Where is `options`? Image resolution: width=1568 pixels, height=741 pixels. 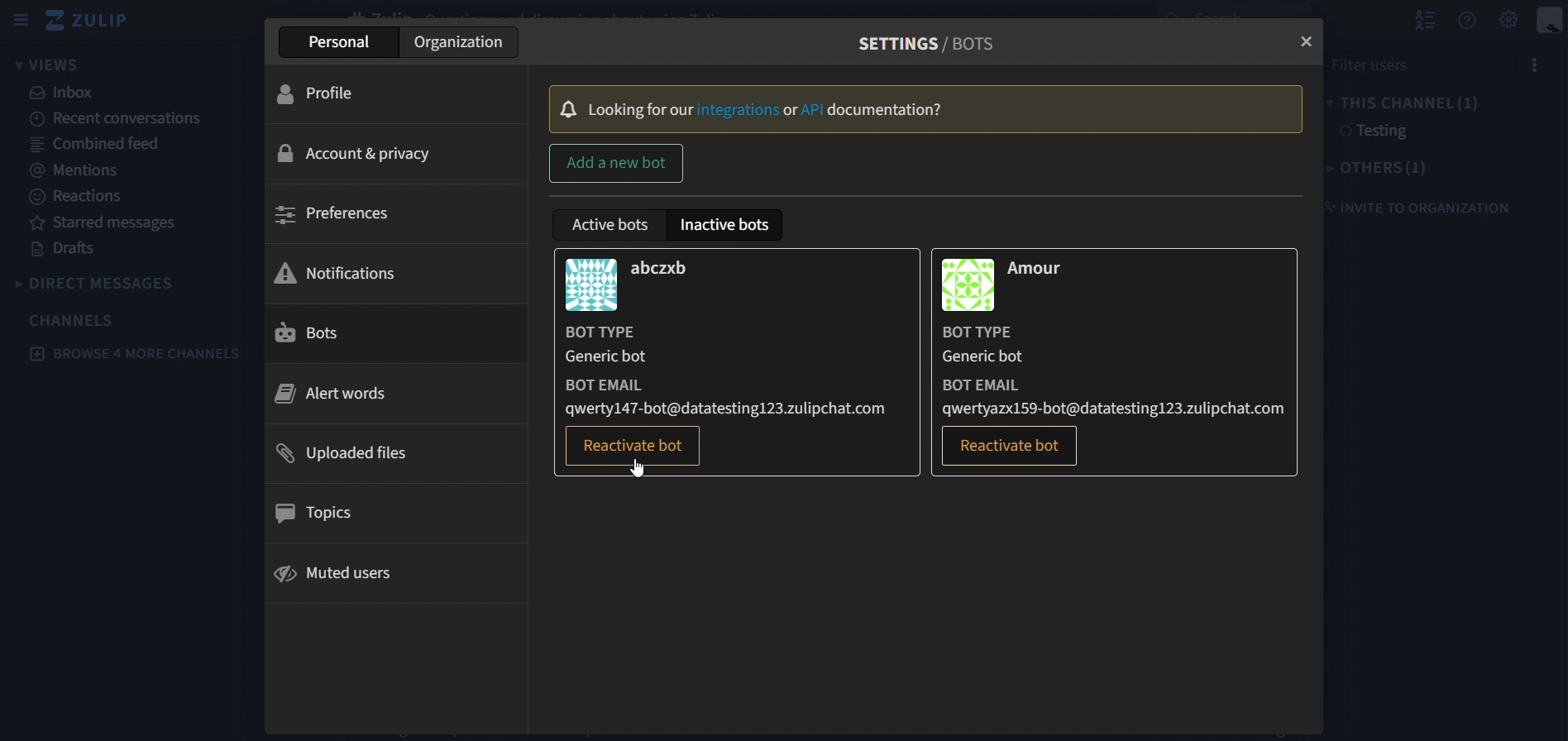
options is located at coordinates (1530, 66).